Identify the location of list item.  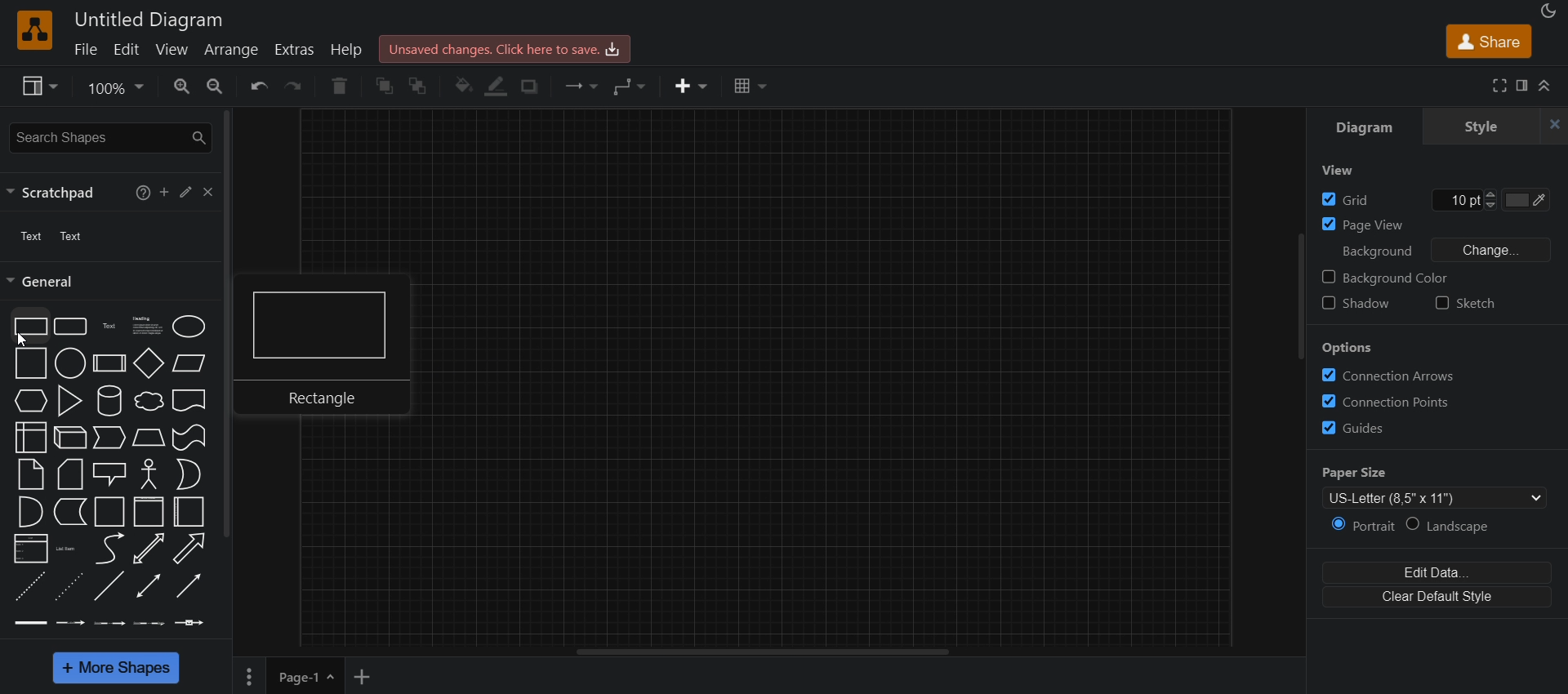
(68, 551).